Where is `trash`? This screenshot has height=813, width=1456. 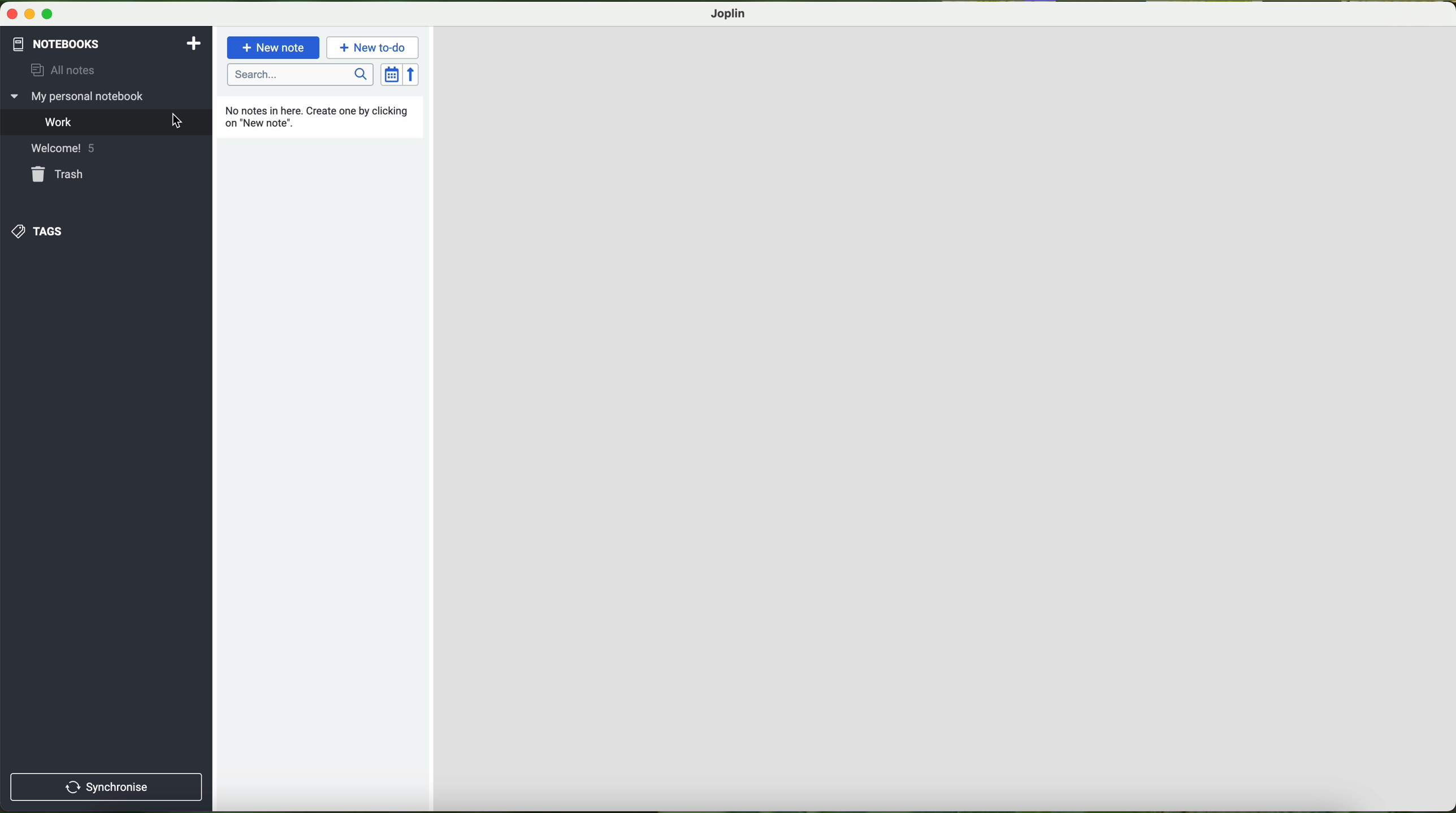
trash is located at coordinates (60, 174).